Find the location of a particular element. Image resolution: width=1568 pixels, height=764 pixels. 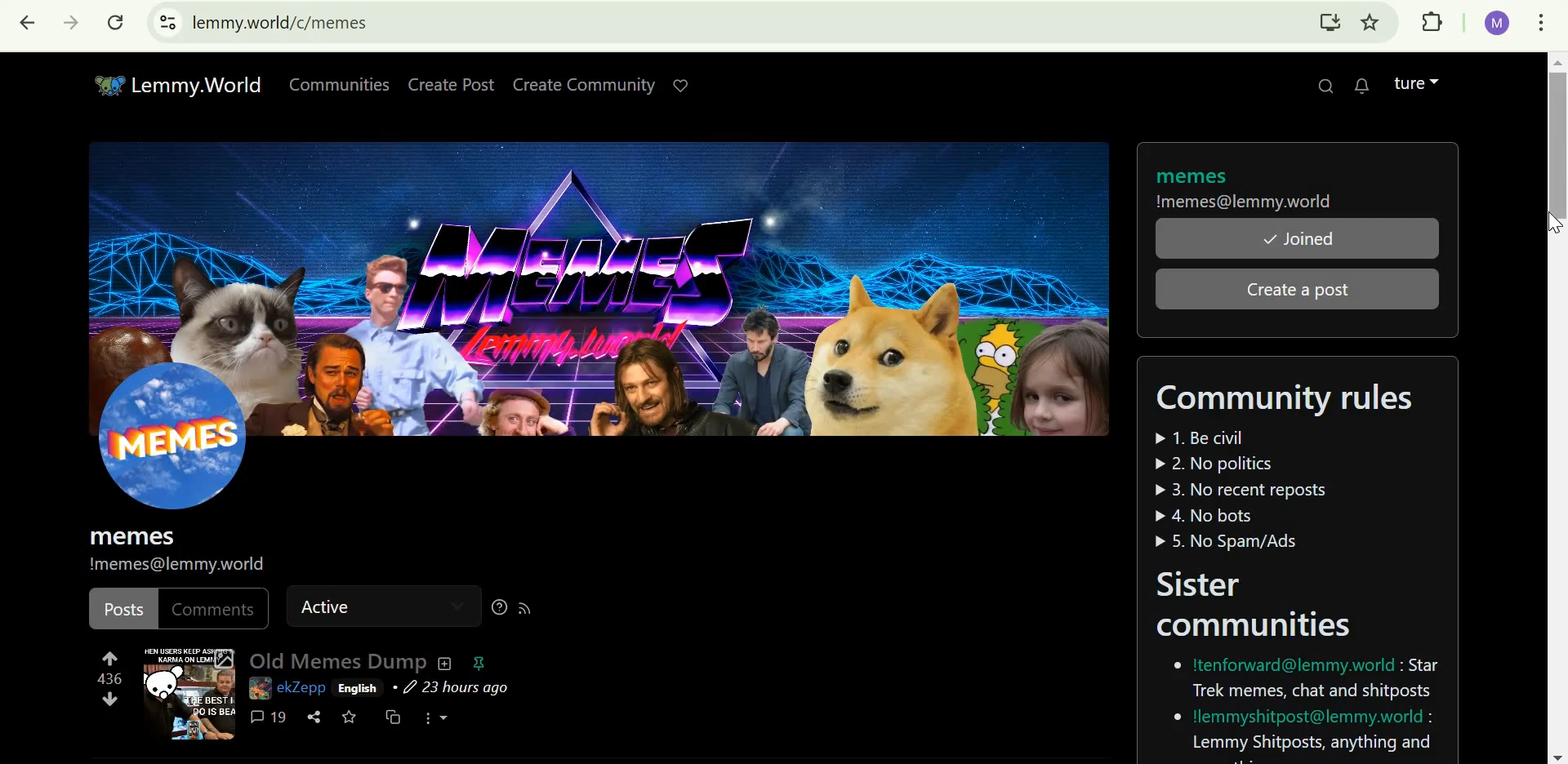

animation is located at coordinates (256, 691).